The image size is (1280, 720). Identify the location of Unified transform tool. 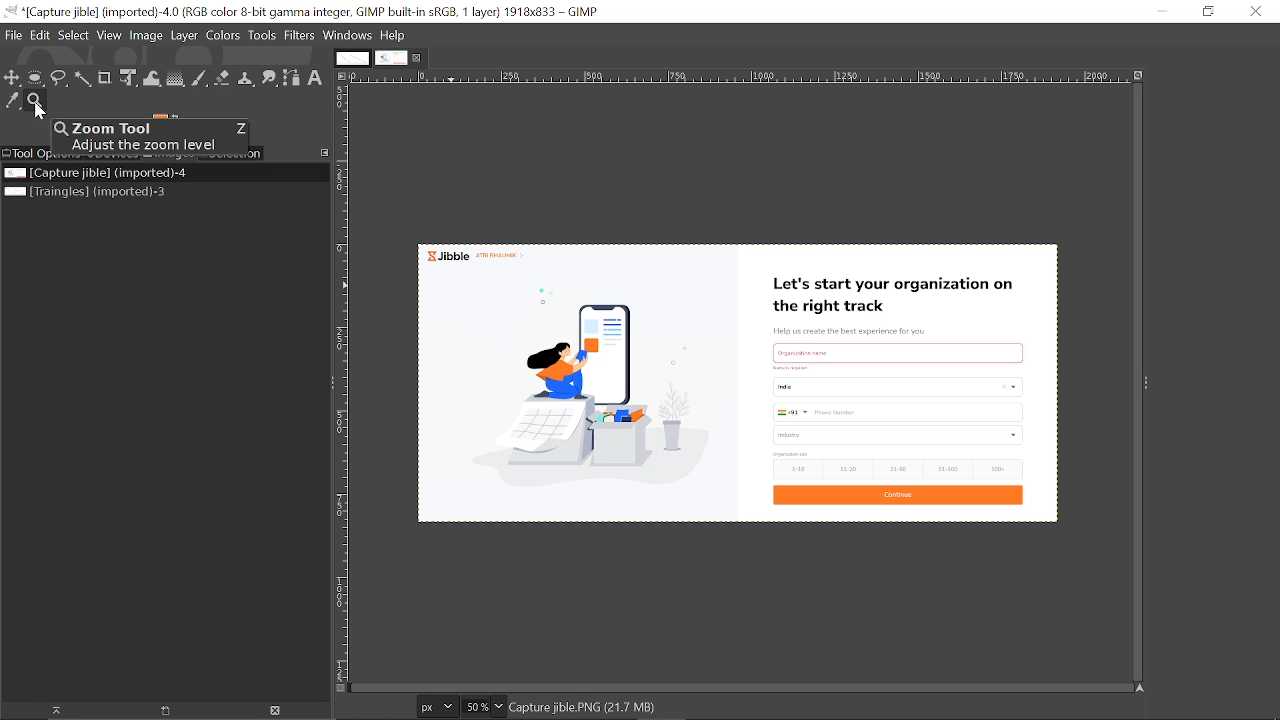
(129, 79).